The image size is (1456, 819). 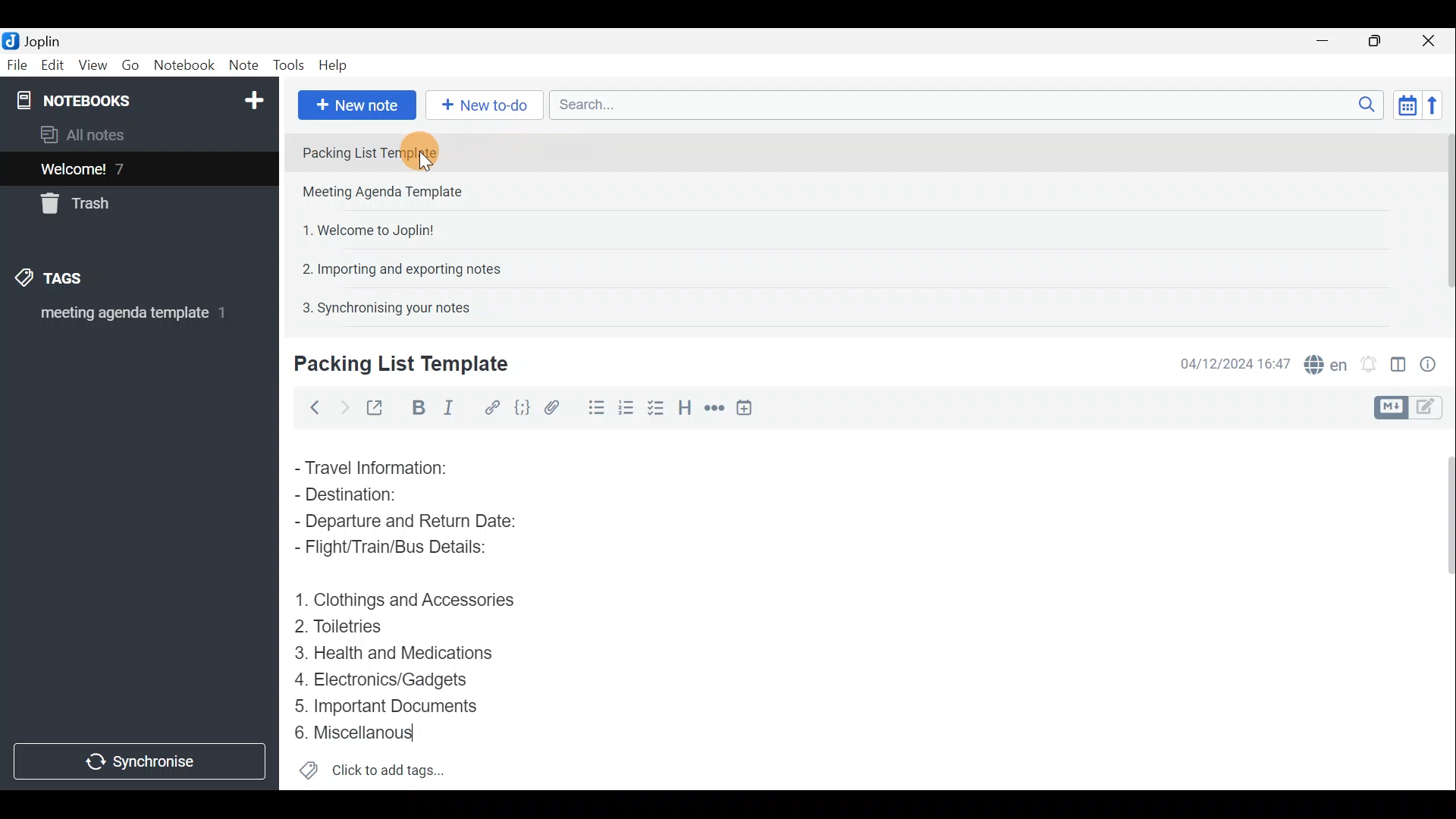 I want to click on cursor, so click(x=424, y=162).